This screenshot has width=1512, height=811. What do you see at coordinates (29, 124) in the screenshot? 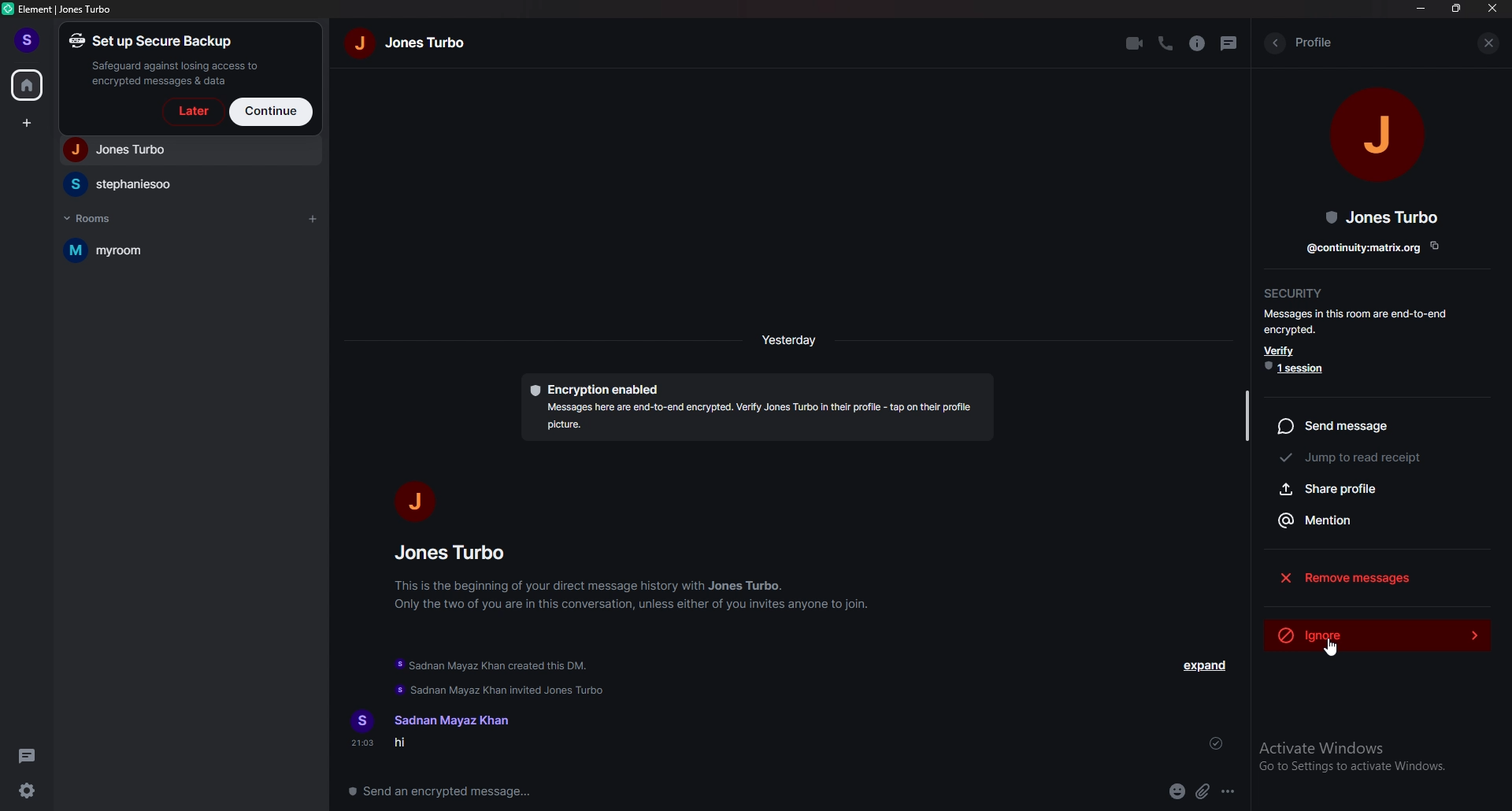
I see `create space` at bounding box center [29, 124].